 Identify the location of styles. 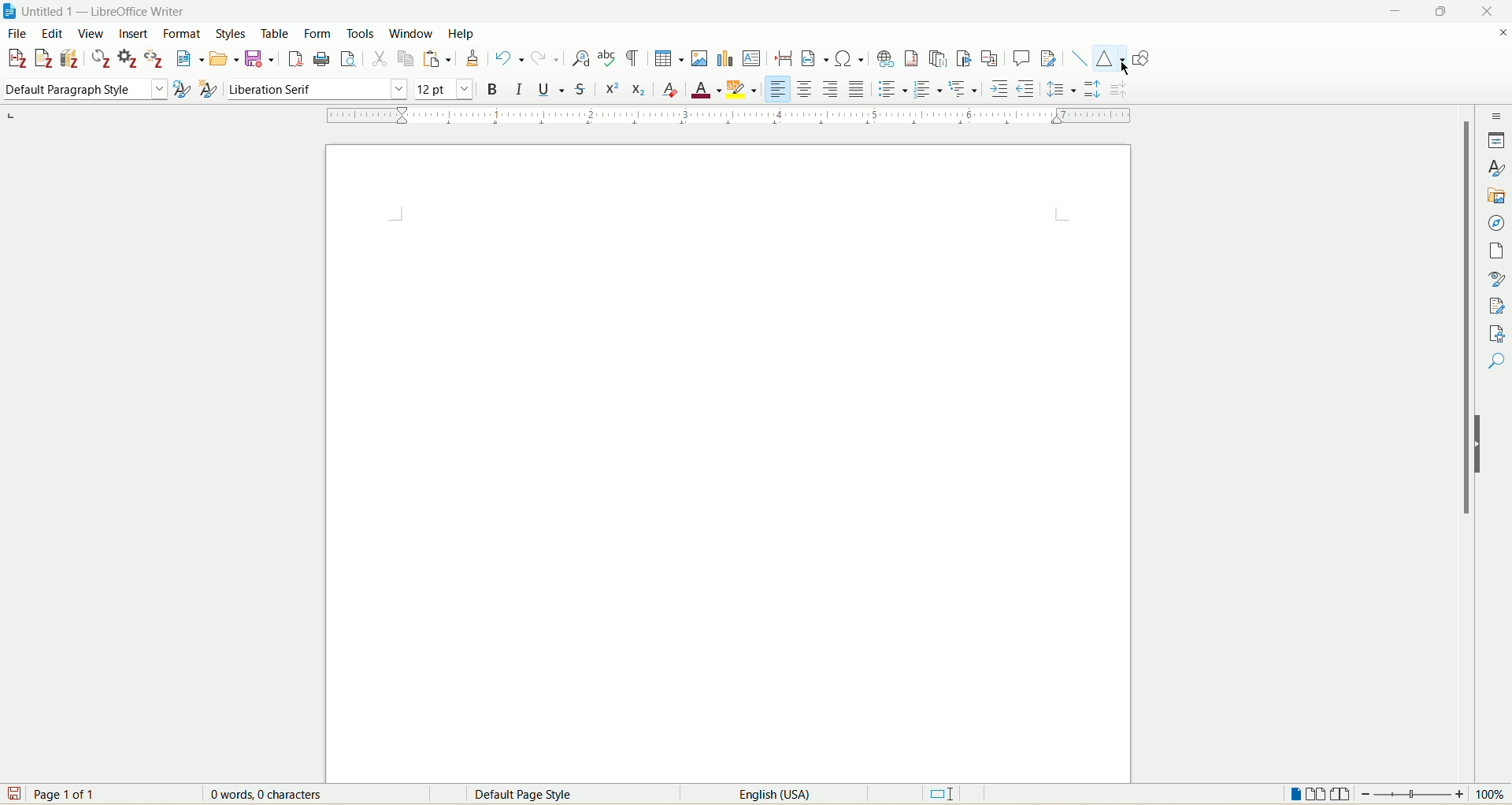
(235, 34).